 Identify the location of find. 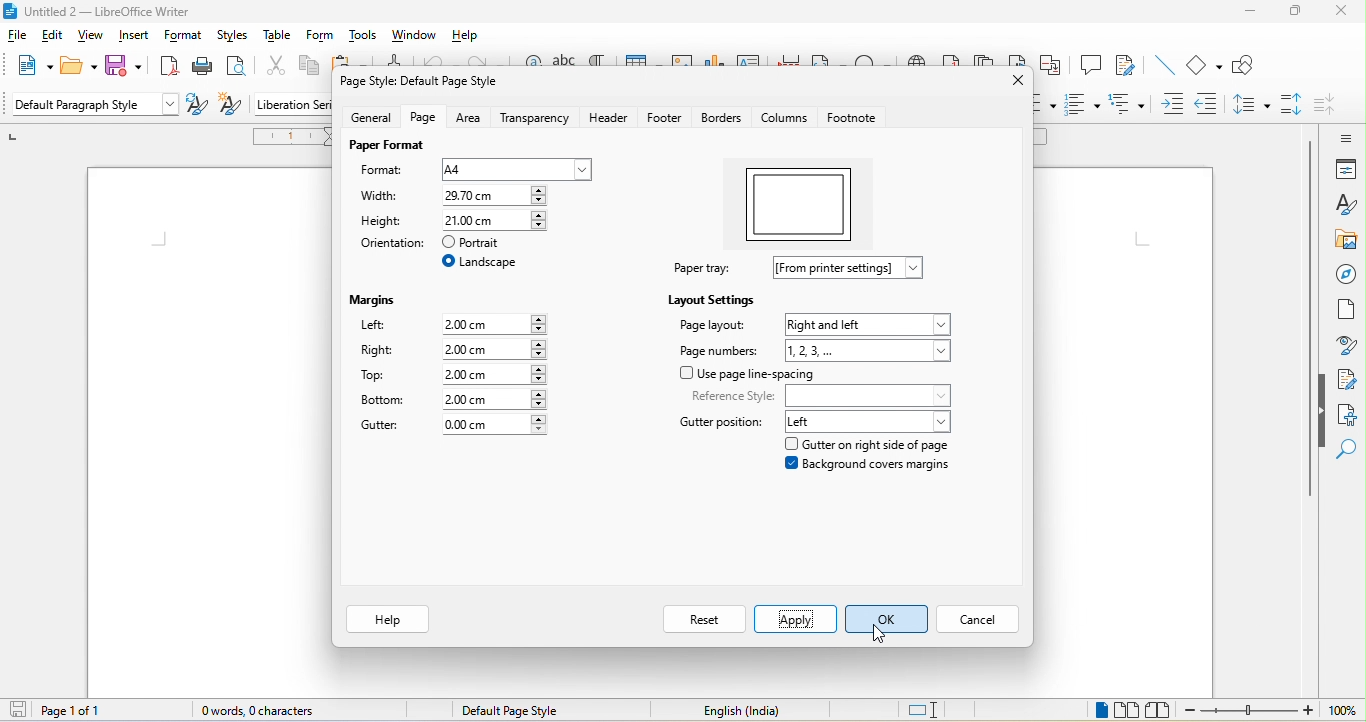
(1350, 452).